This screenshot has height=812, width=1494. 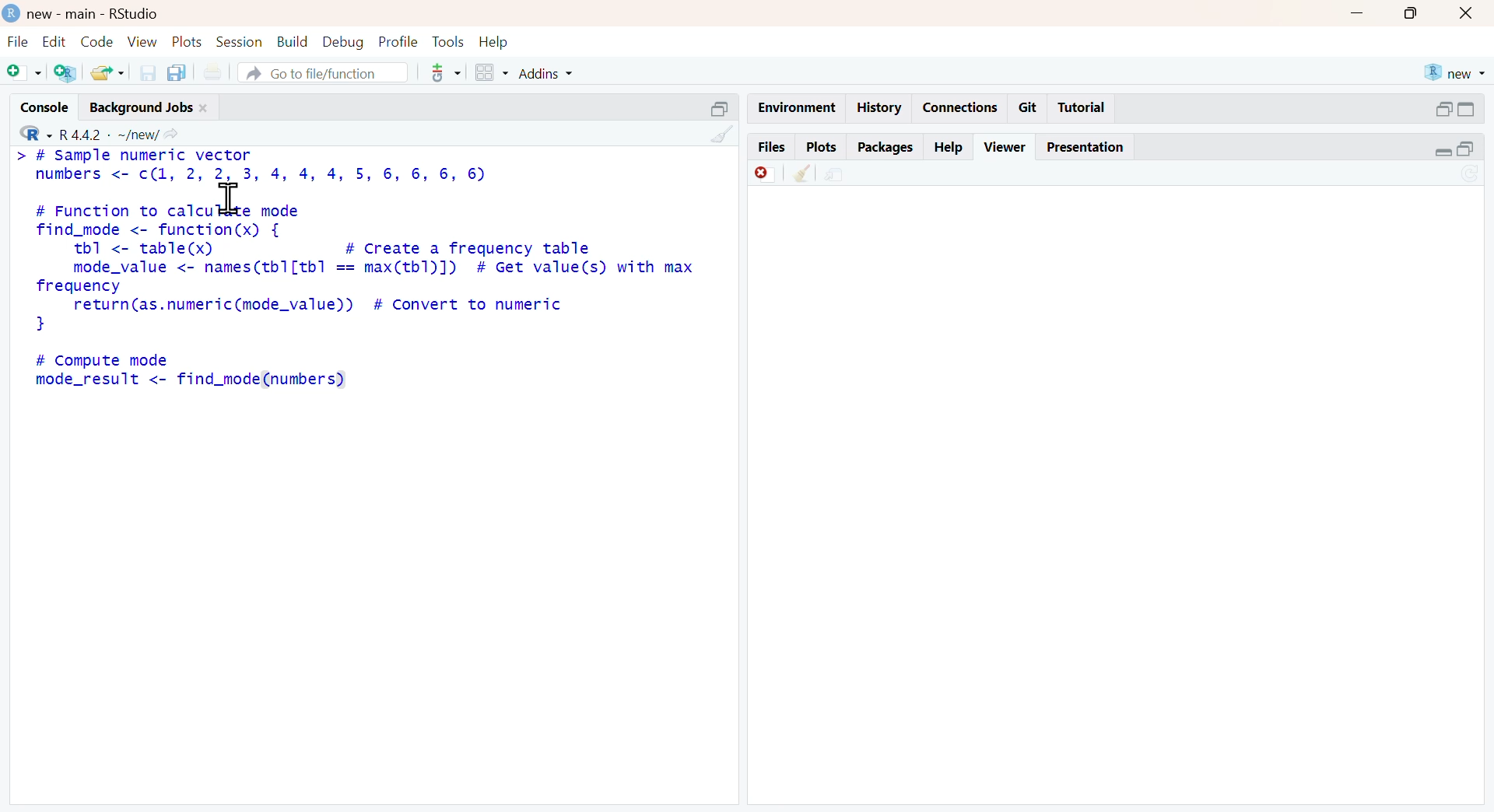 I want to click on expand/collapse , so click(x=1442, y=152).